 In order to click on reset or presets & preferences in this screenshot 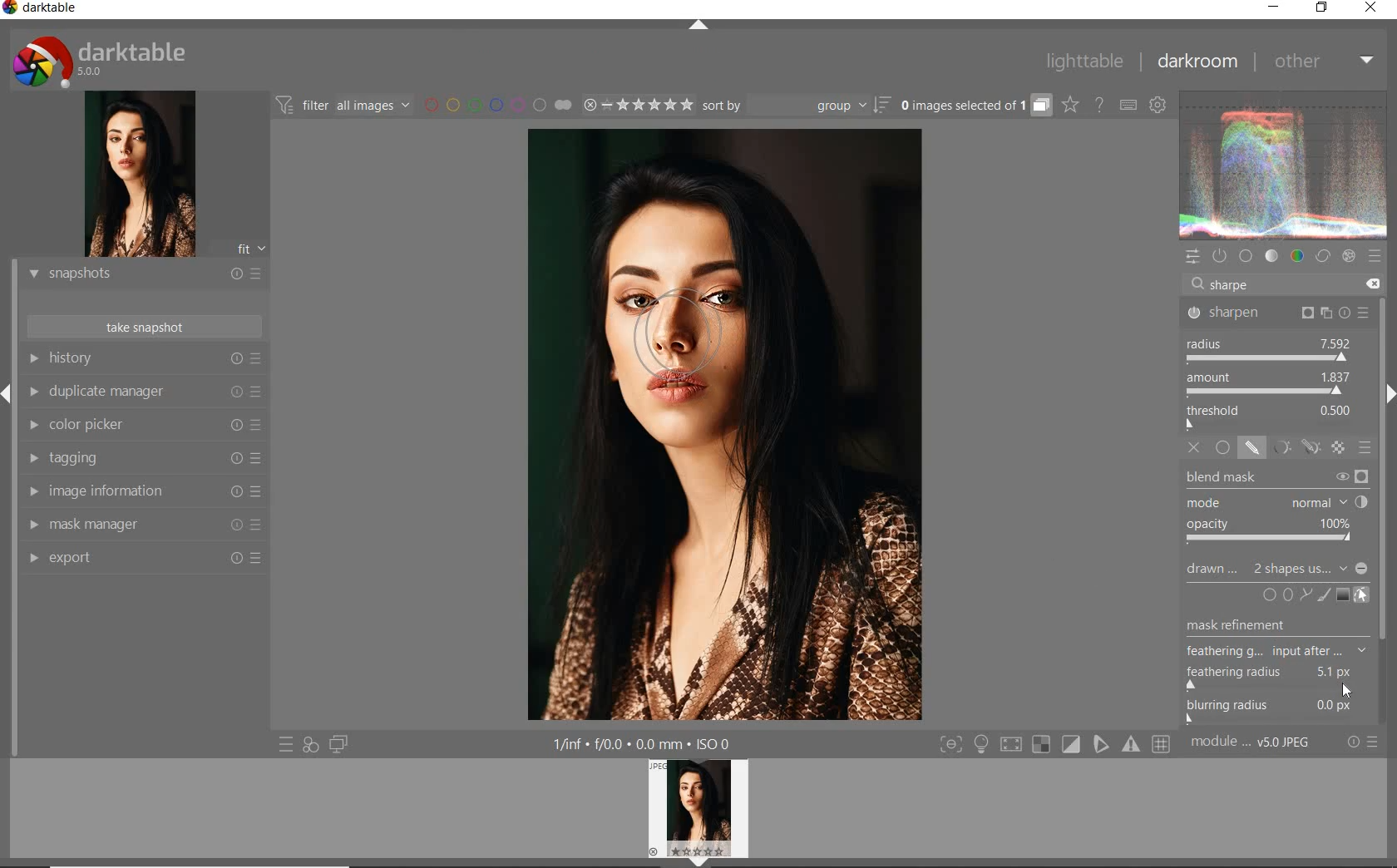, I will do `click(1363, 745)`.